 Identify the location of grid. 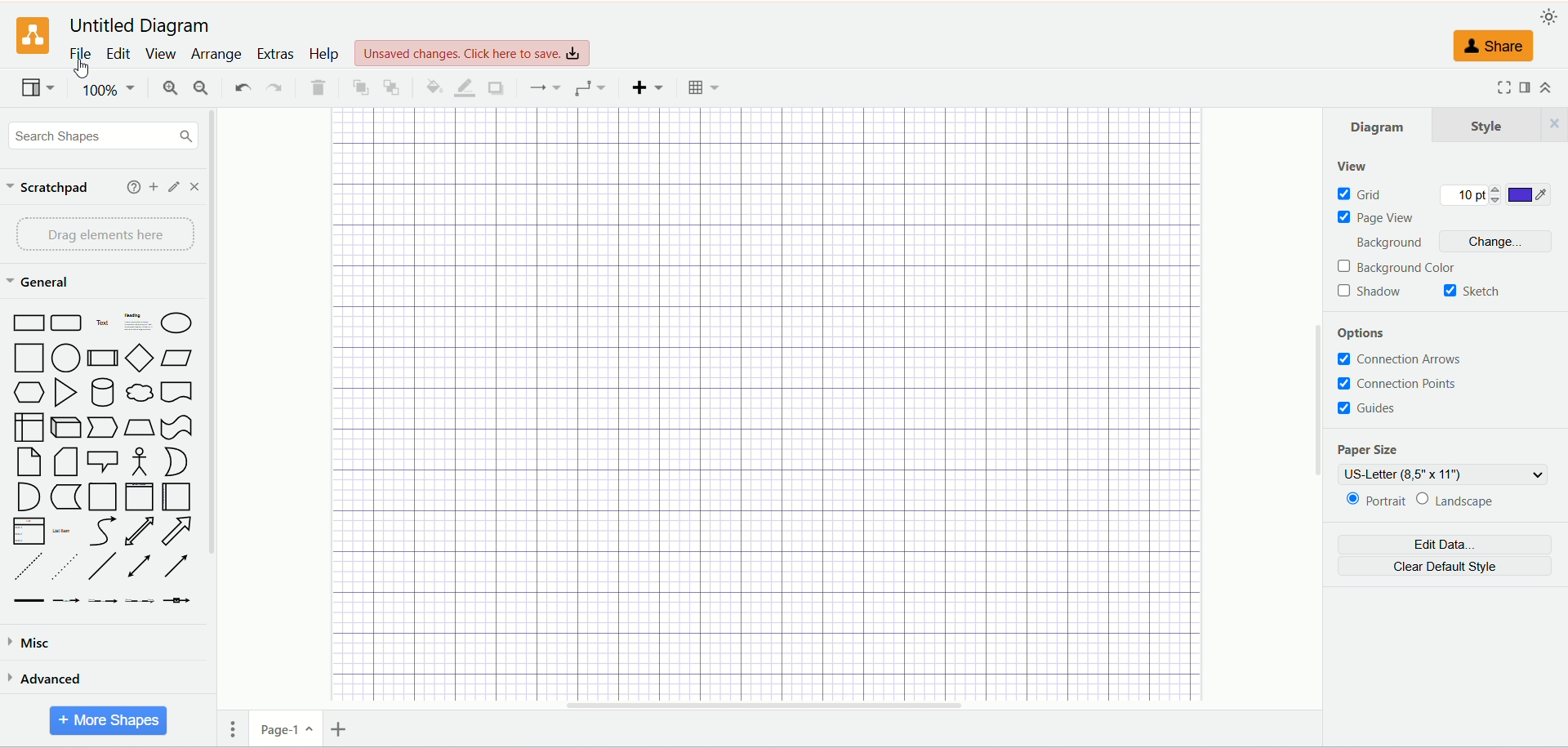
(1361, 194).